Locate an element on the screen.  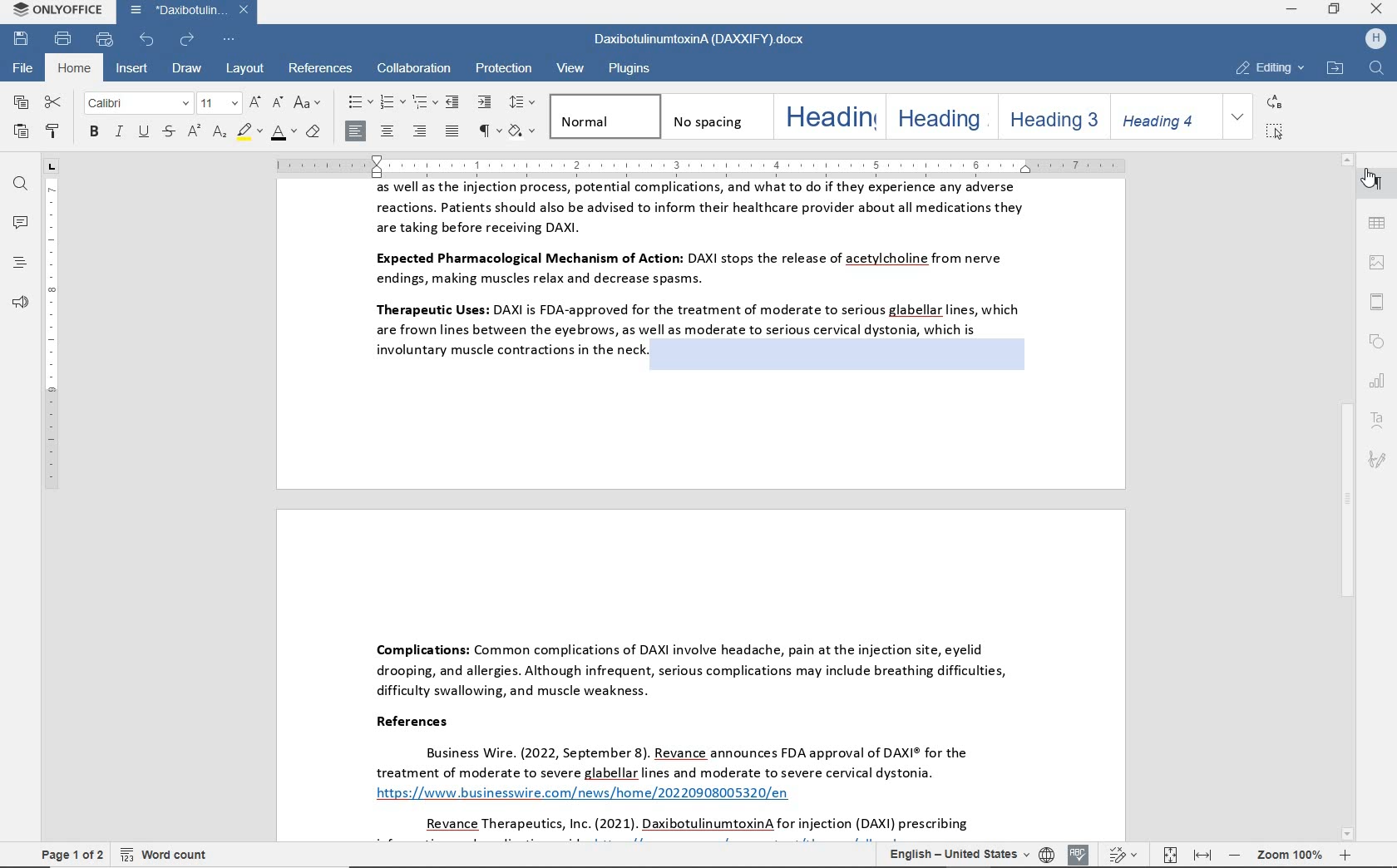
font is located at coordinates (136, 104).